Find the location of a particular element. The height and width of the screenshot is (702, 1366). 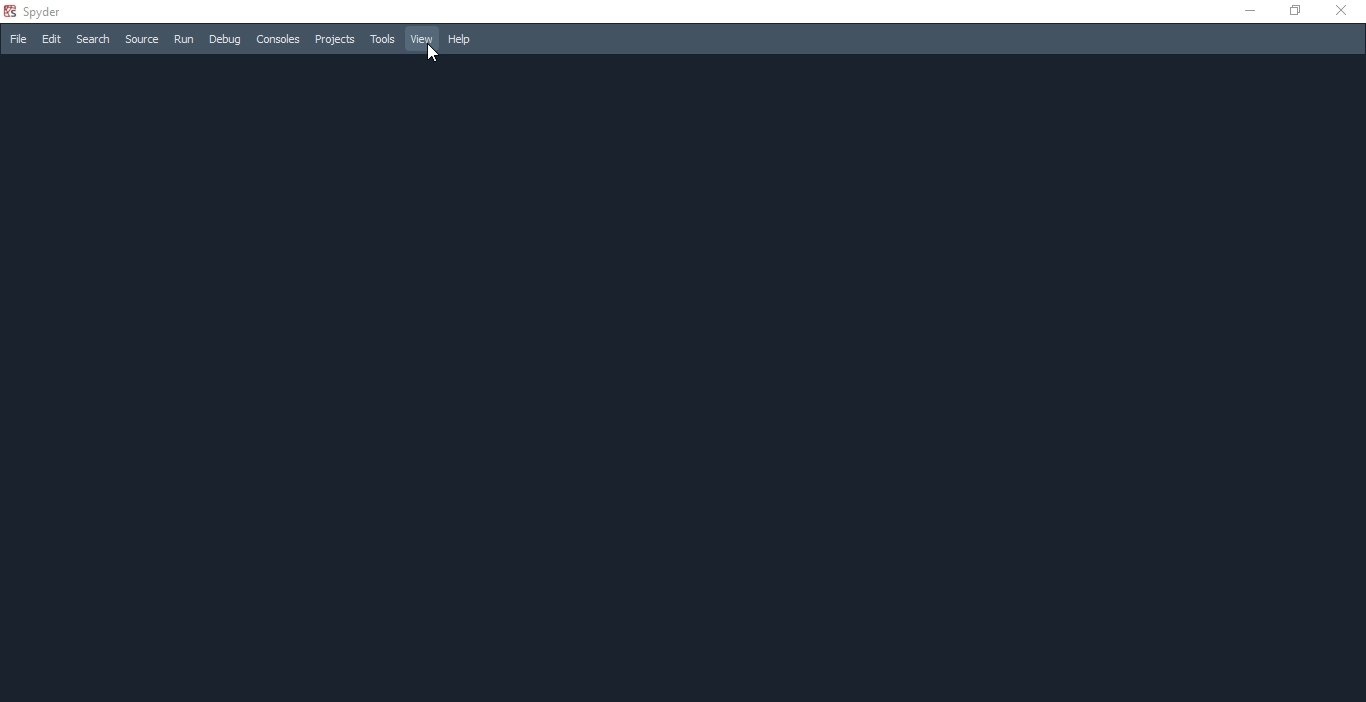

search is located at coordinates (93, 40).